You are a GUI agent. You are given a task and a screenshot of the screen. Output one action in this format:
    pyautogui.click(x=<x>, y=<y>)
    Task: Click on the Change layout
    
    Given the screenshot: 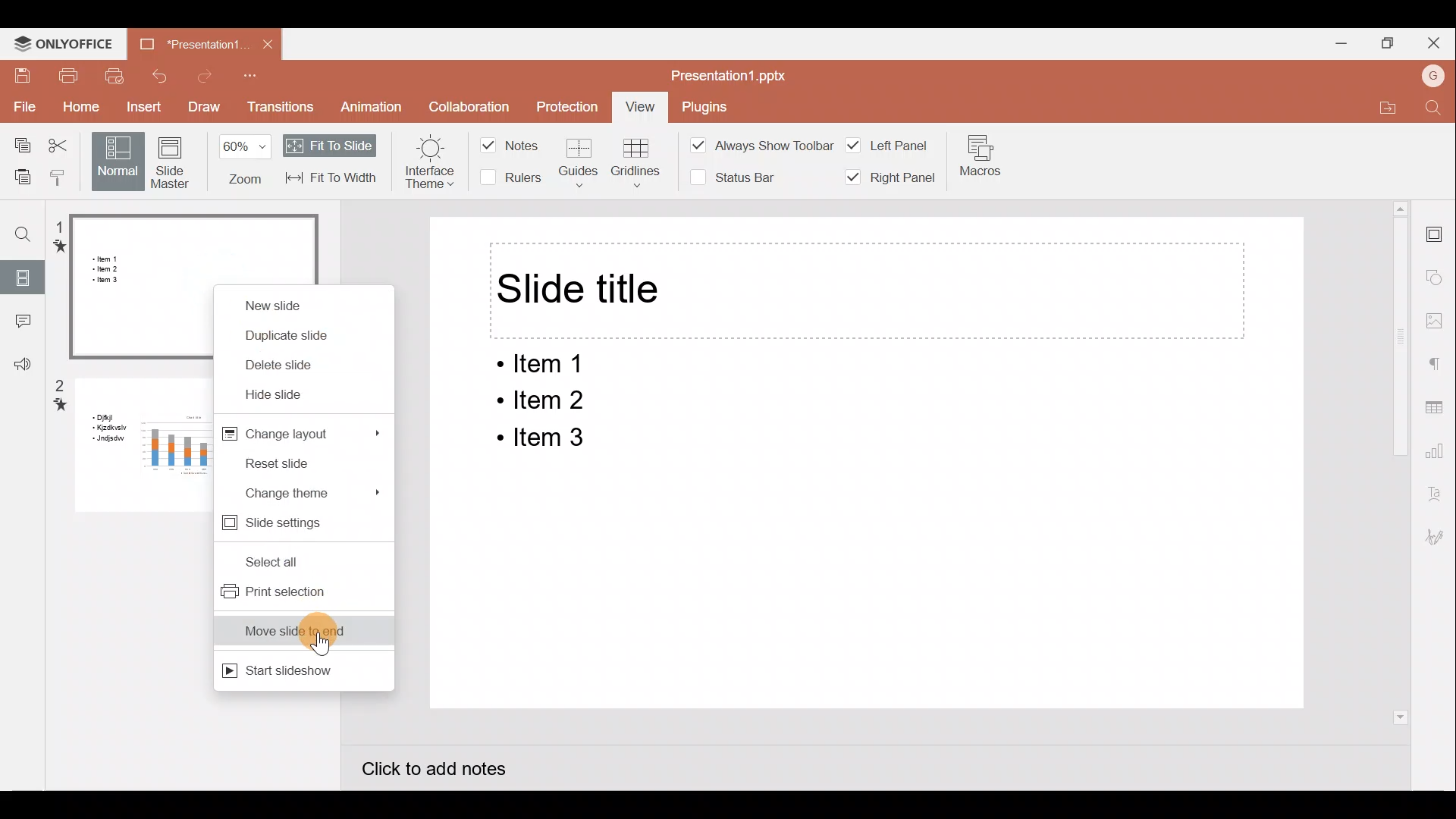 What is the action you would take?
    pyautogui.click(x=302, y=429)
    